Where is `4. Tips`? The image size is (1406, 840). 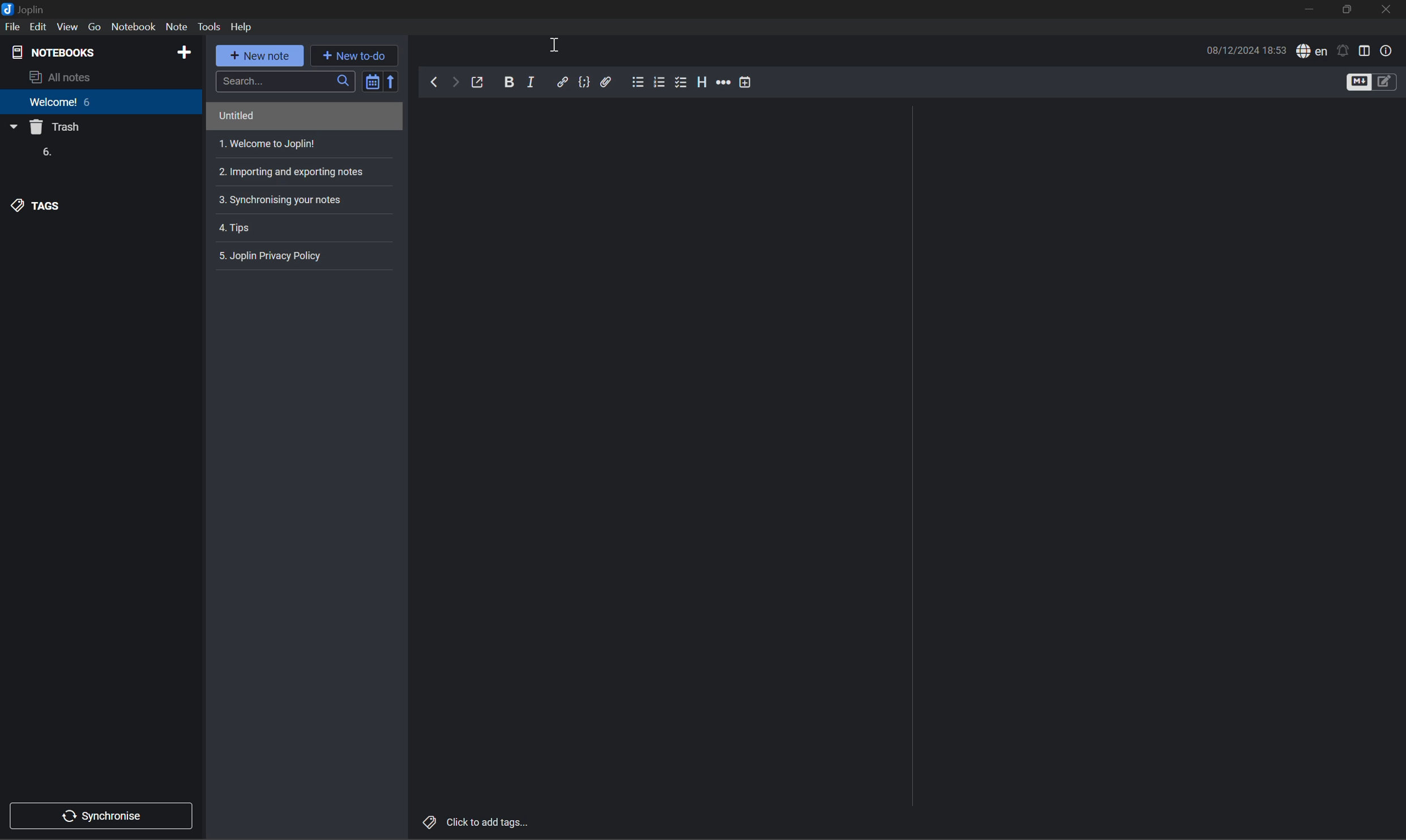 4. Tips is located at coordinates (239, 229).